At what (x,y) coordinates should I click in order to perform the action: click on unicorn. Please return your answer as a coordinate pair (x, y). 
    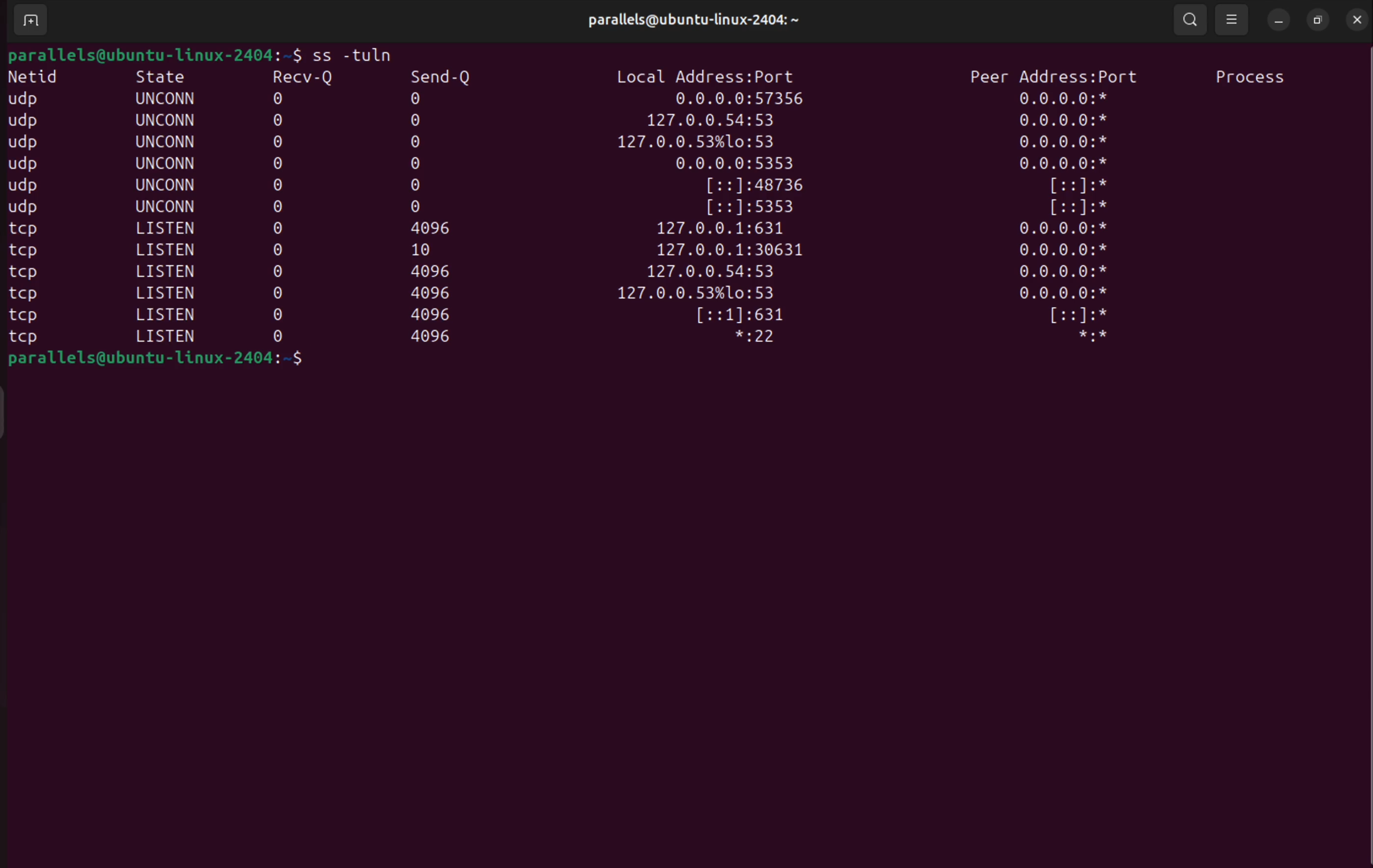
    Looking at the image, I should click on (165, 120).